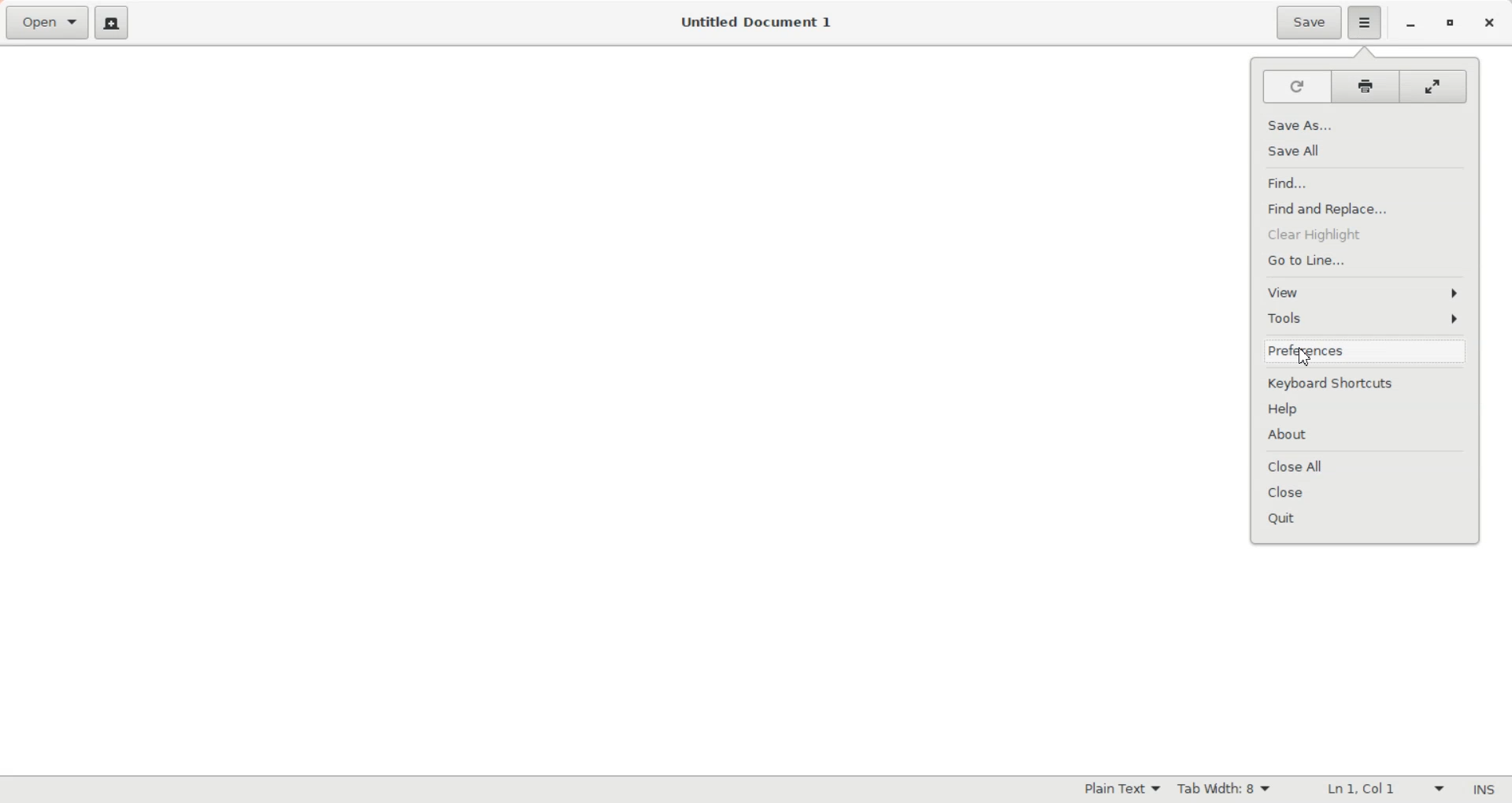 This screenshot has width=1512, height=803. What do you see at coordinates (1366, 231) in the screenshot?
I see `Clear Highlight` at bounding box center [1366, 231].